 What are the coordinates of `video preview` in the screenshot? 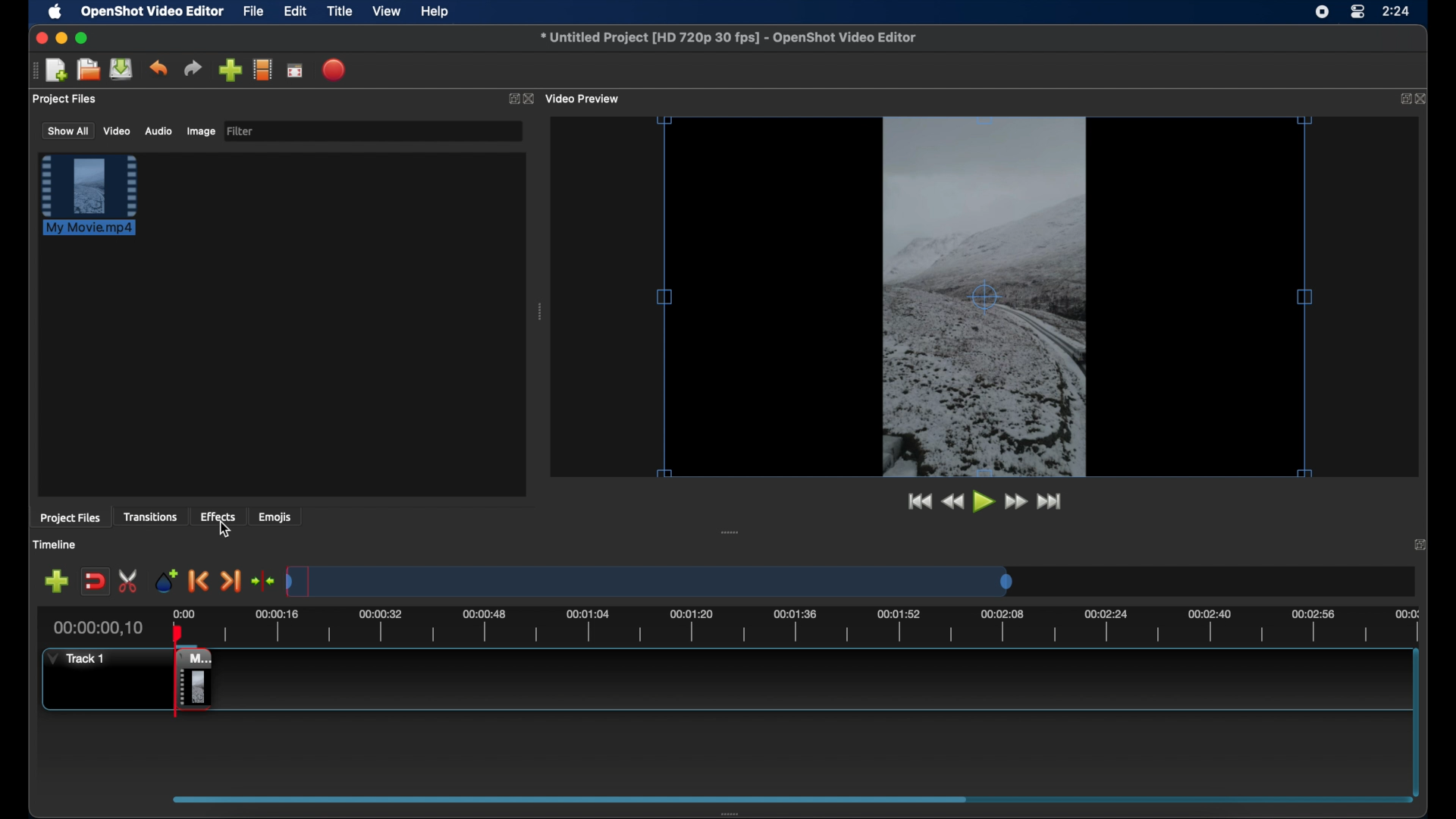 It's located at (984, 297).